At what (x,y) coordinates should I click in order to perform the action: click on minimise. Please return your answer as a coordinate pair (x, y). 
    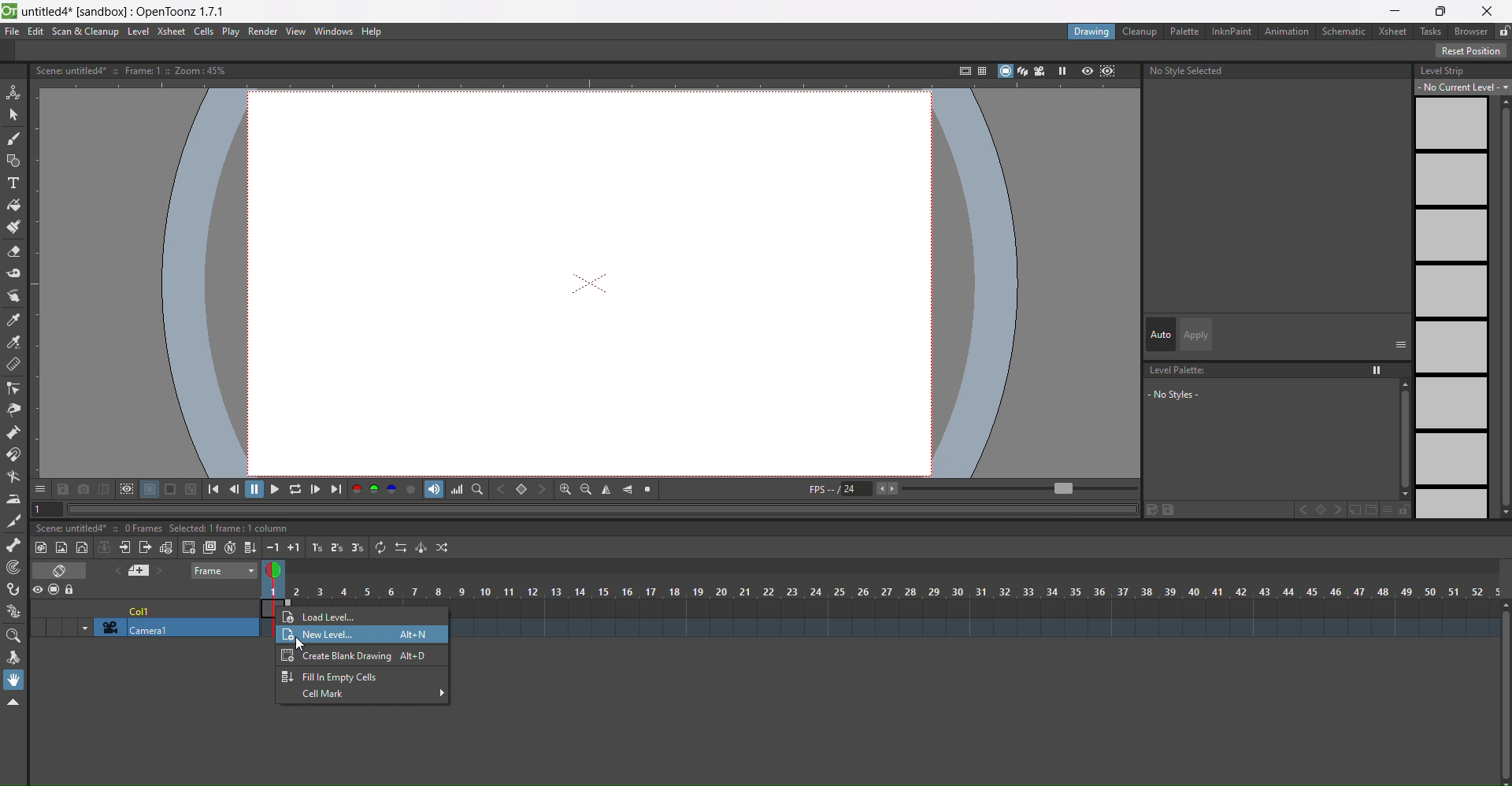
    Looking at the image, I should click on (1395, 11).